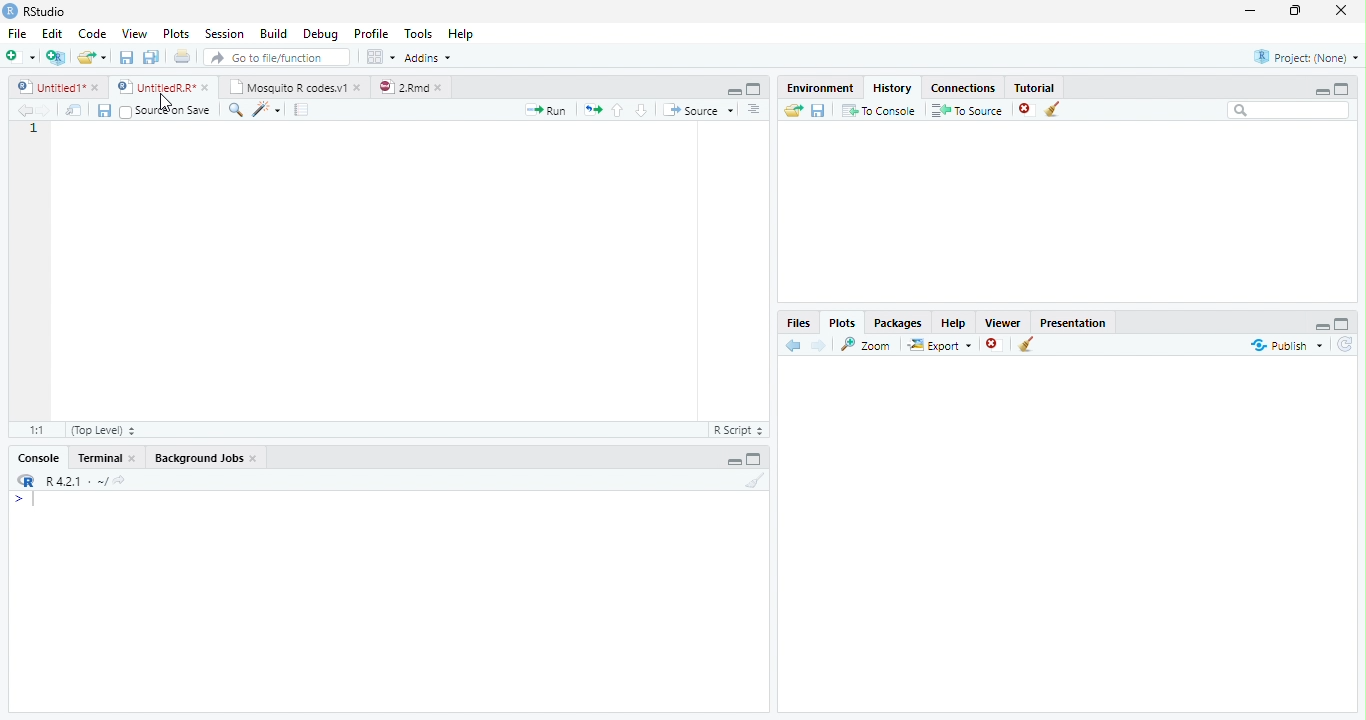 The image size is (1366, 720). What do you see at coordinates (207, 456) in the screenshot?
I see `Background Jobs` at bounding box center [207, 456].